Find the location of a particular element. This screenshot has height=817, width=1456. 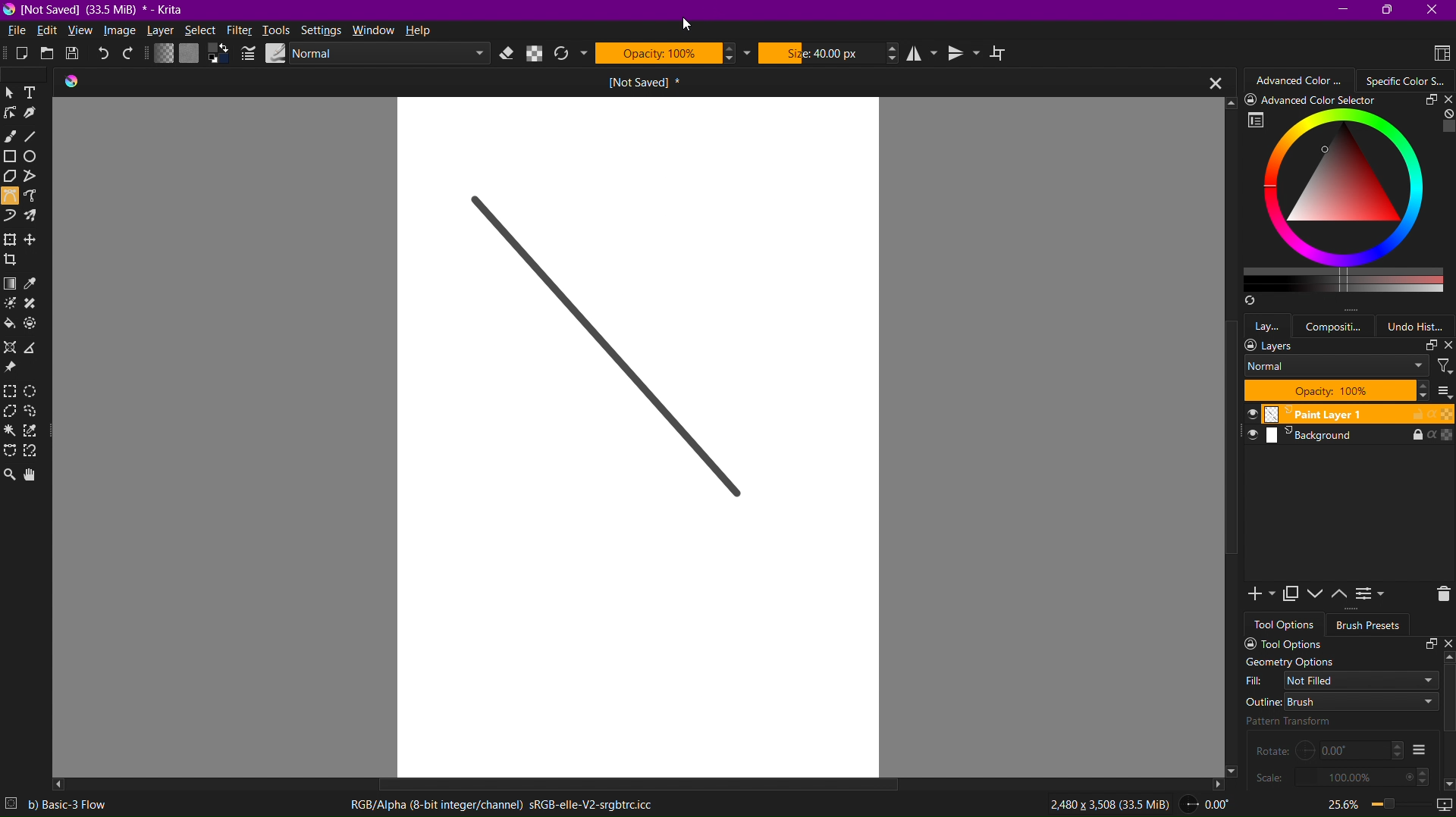

Similar Color Selection Tool is located at coordinates (36, 433).